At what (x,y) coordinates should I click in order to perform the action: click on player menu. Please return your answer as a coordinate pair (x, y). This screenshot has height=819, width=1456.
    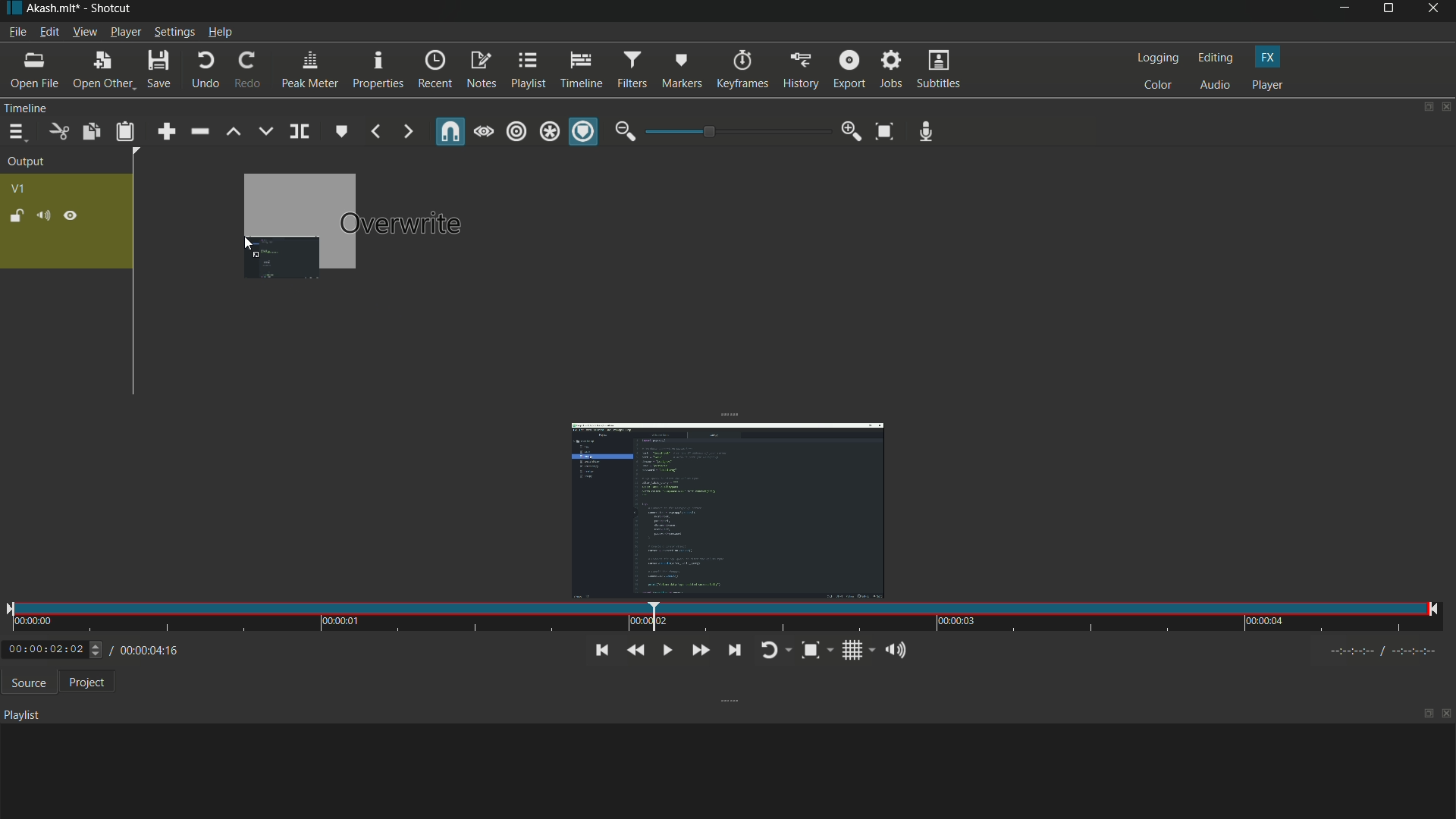
    Looking at the image, I should click on (126, 31).